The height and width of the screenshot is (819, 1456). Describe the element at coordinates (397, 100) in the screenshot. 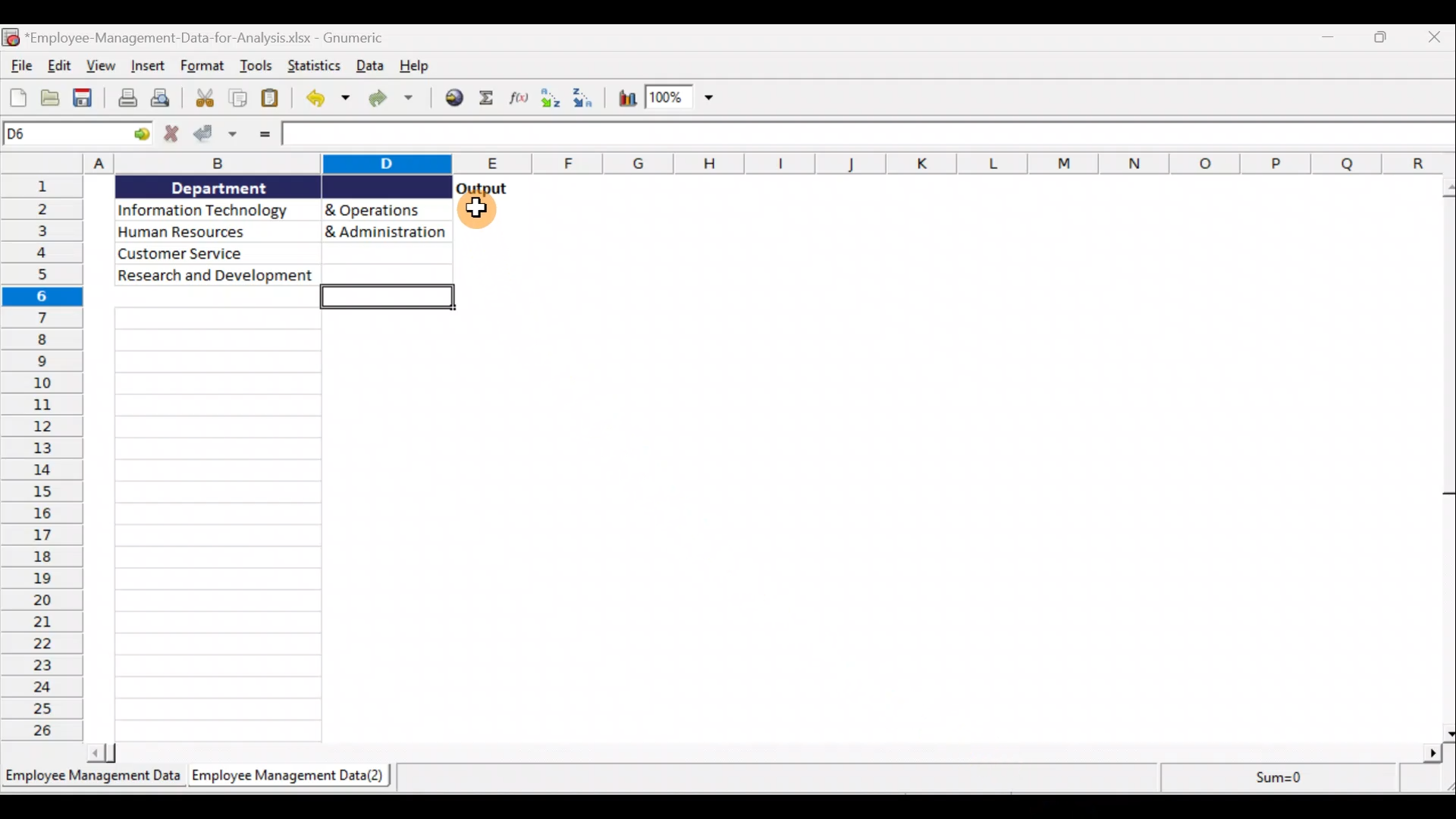

I see `Redo undone action` at that location.